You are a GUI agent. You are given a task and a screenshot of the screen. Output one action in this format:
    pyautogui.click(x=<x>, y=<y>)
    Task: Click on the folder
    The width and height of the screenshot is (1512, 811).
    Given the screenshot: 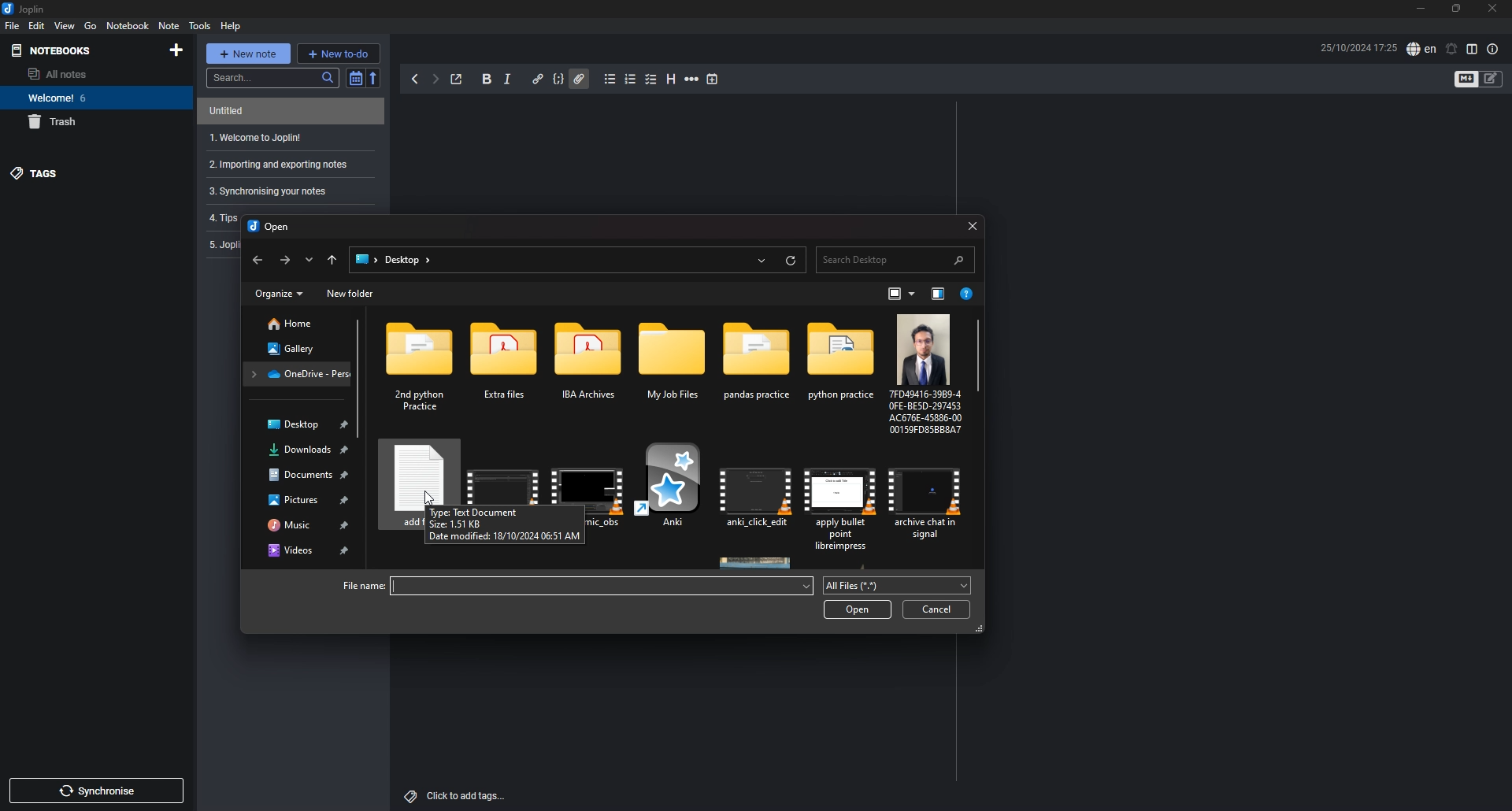 What is the action you would take?
    pyautogui.click(x=298, y=372)
    